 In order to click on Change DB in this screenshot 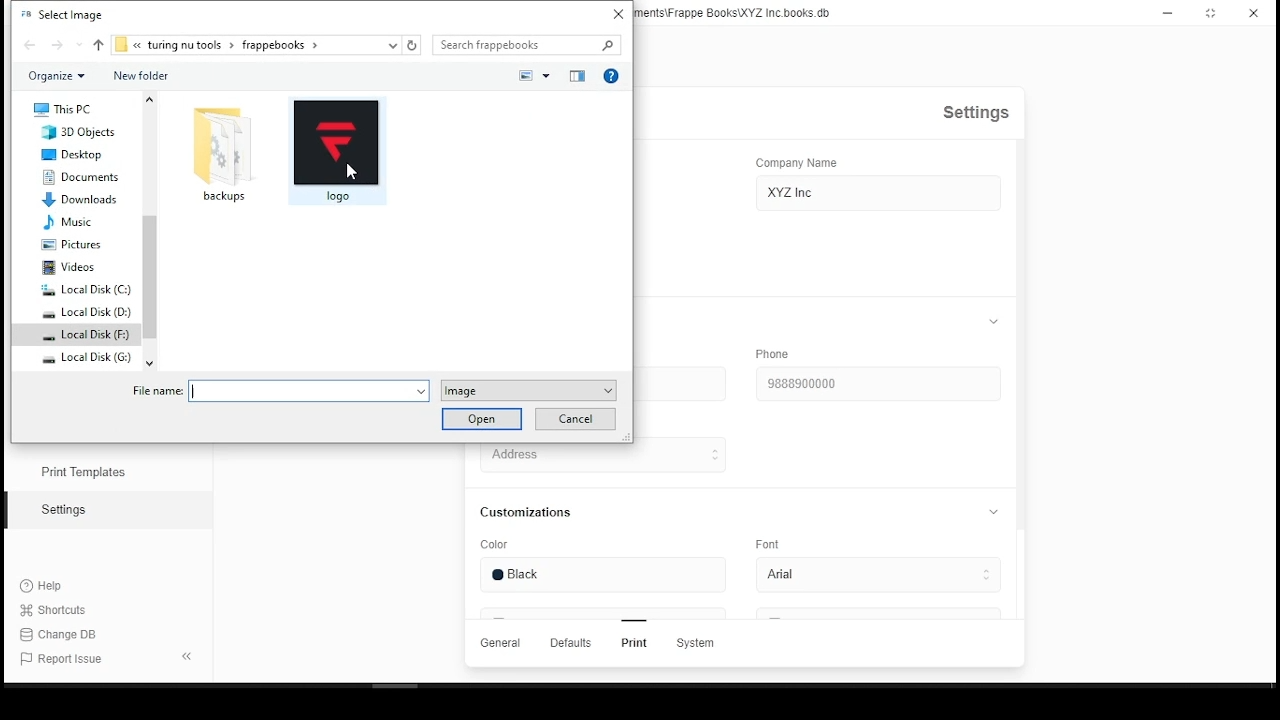, I will do `click(61, 634)`.